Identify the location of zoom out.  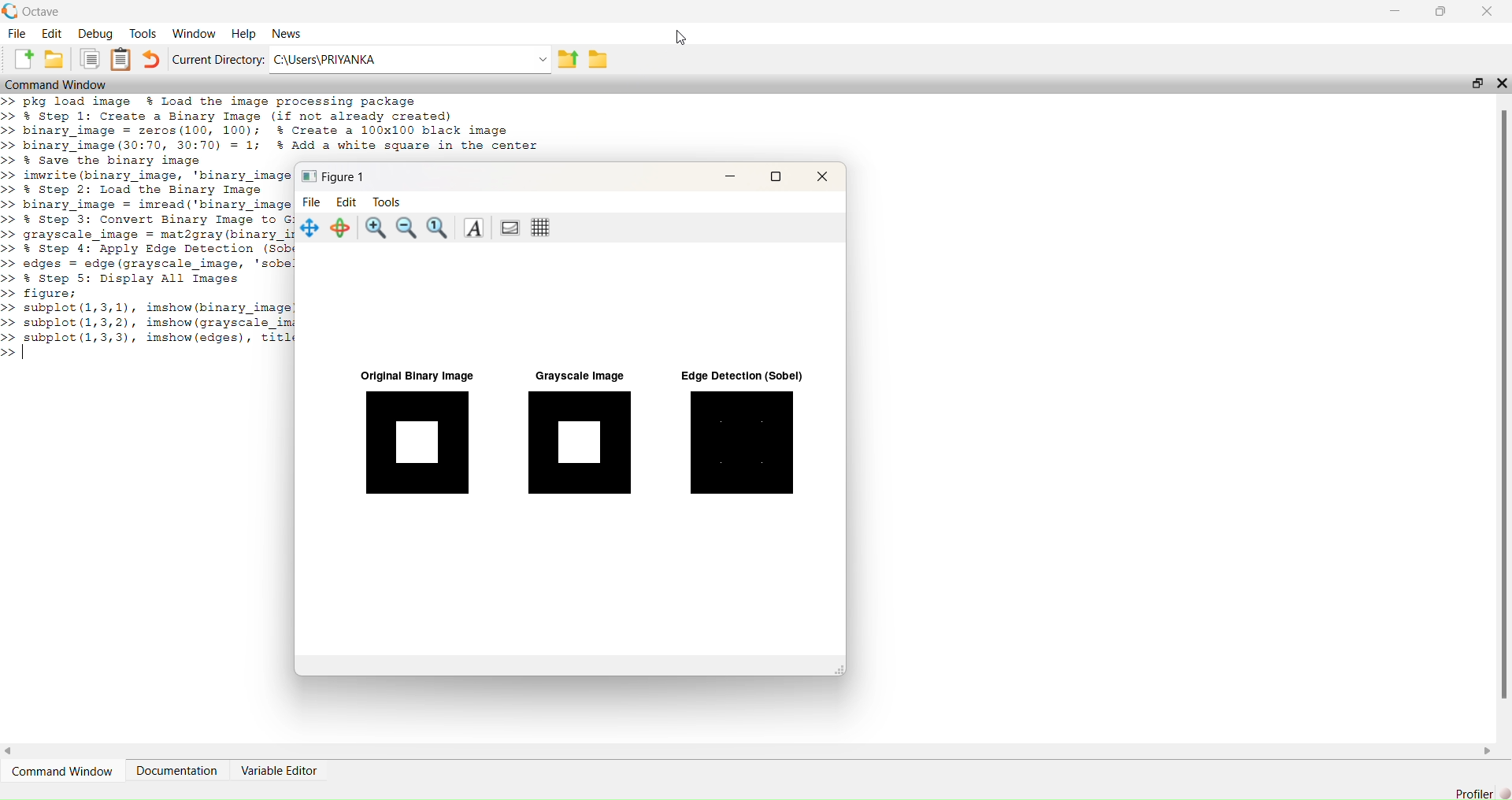
(406, 228).